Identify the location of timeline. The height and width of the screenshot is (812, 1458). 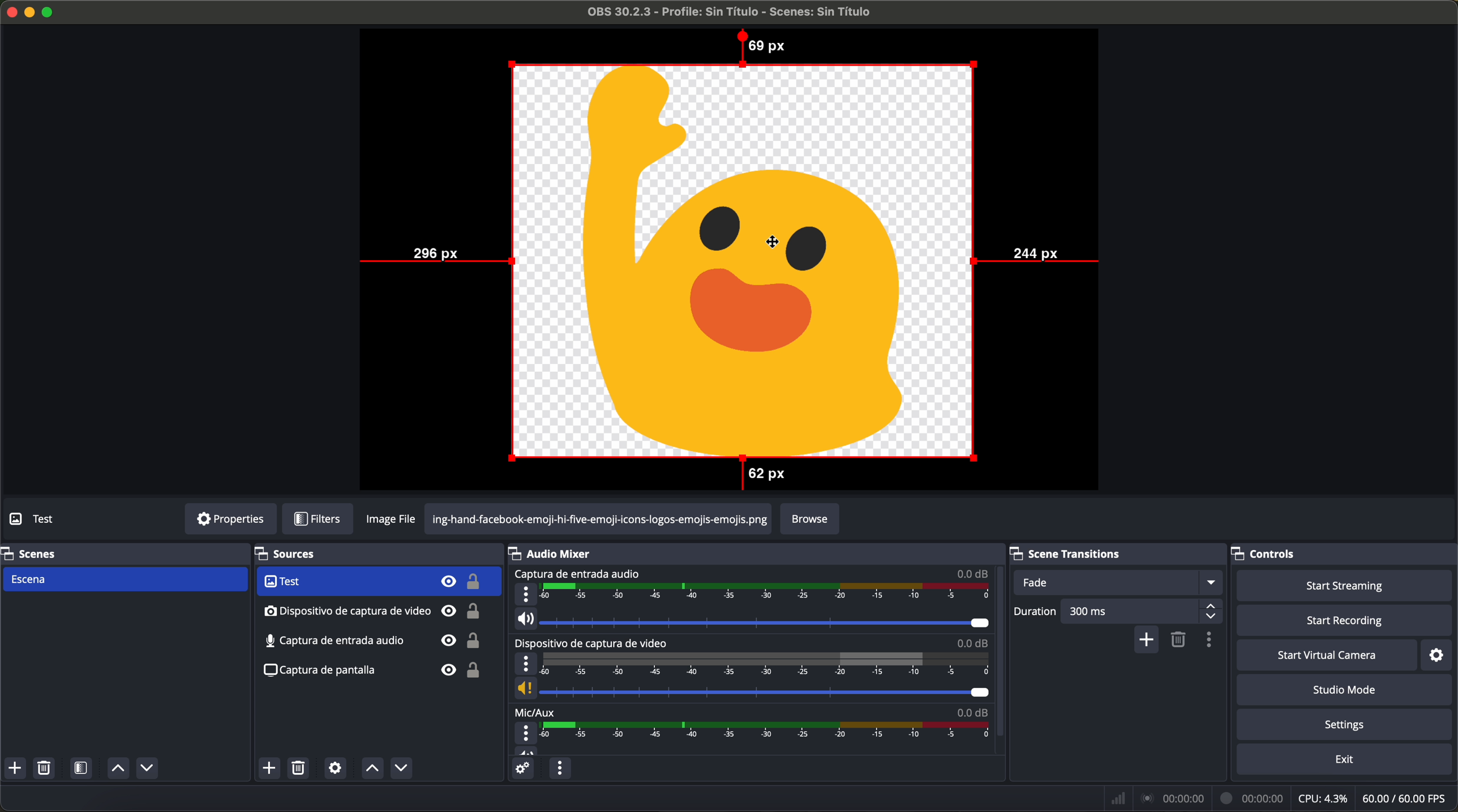
(769, 731).